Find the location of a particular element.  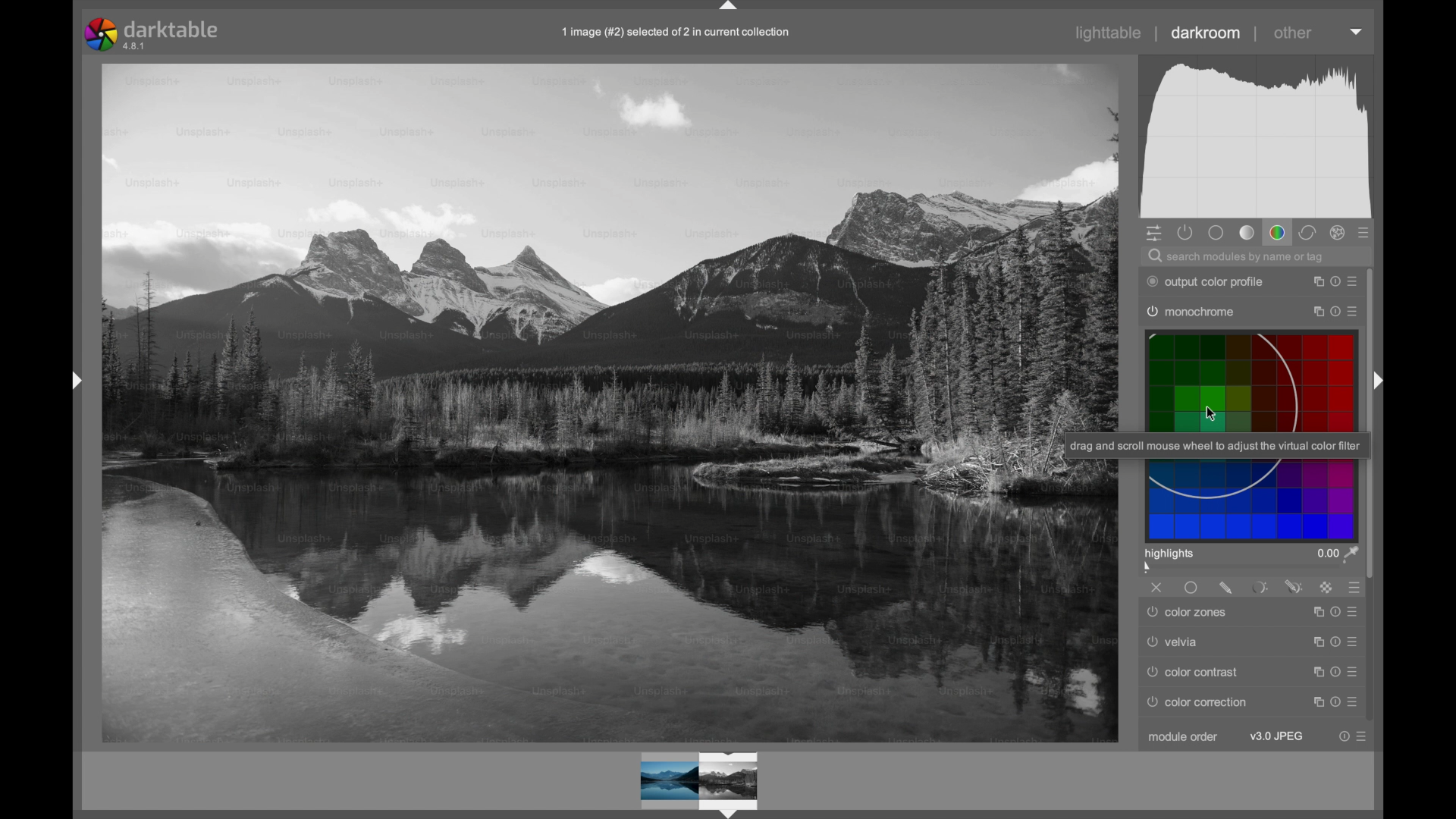

quick access panel is located at coordinates (1154, 234).